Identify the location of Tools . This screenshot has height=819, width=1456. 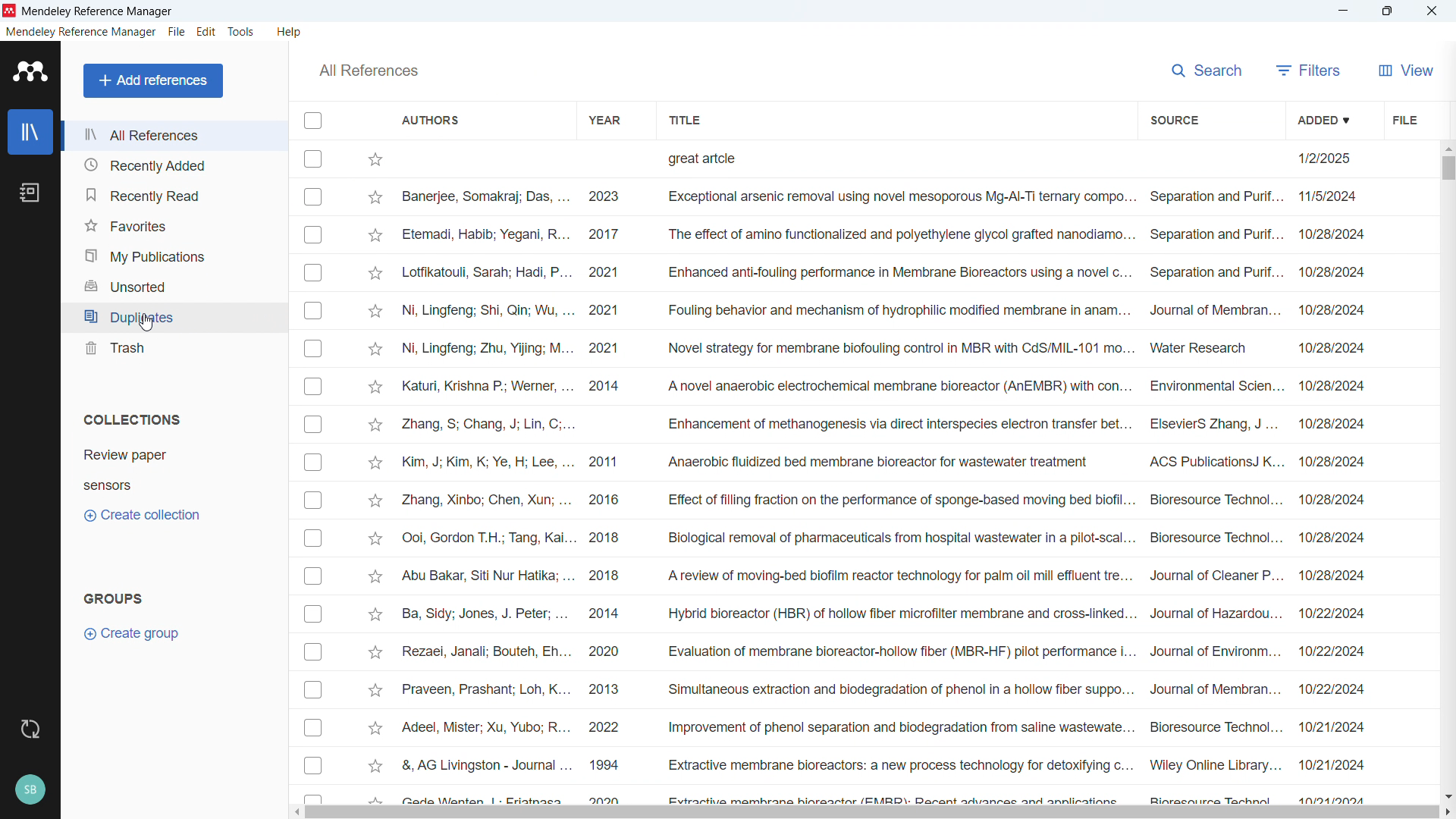
(241, 33).